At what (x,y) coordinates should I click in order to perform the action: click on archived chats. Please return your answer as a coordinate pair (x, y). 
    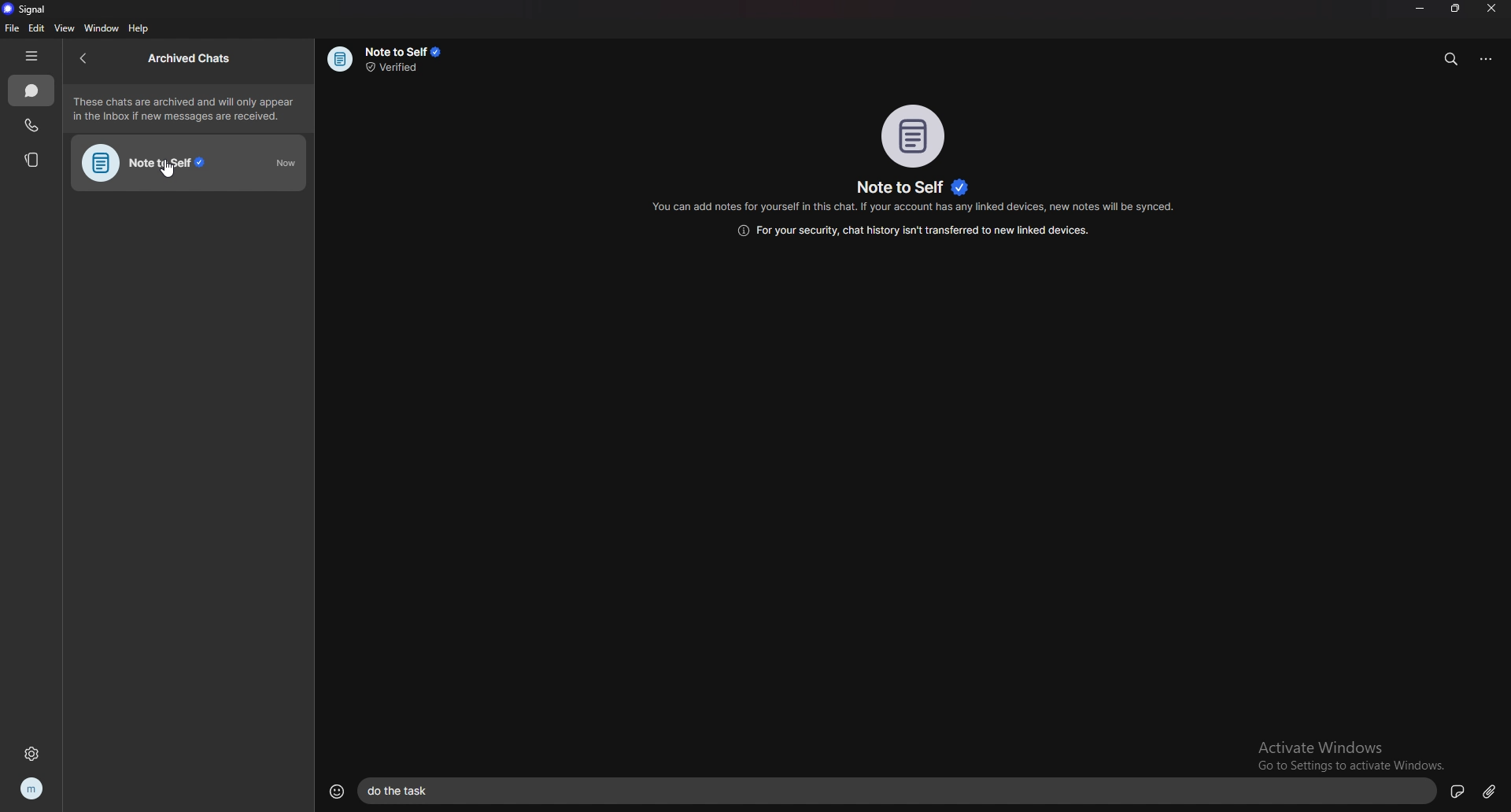
    Looking at the image, I should click on (193, 59).